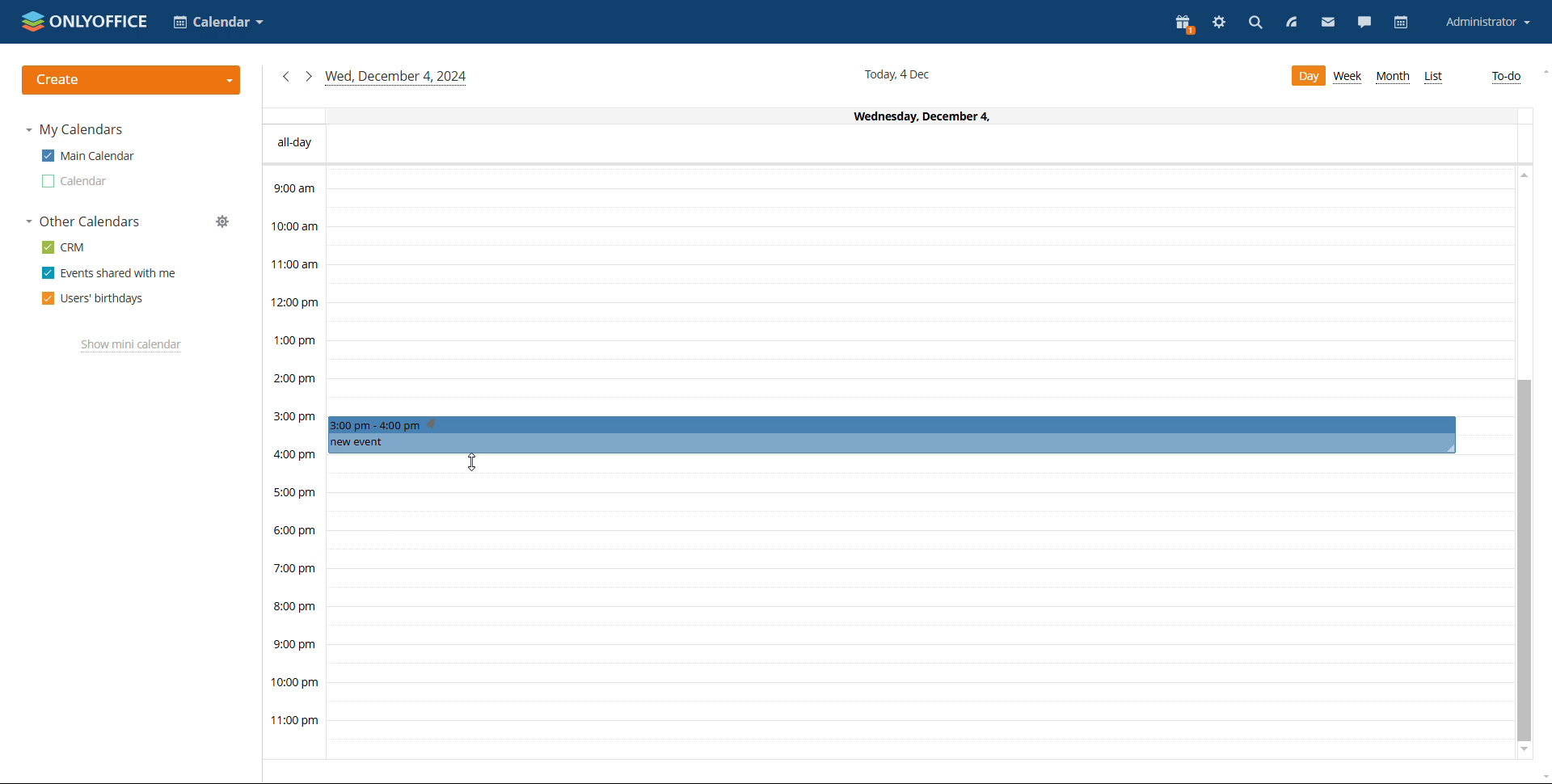 Image resolution: width=1552 pixels, height=784 pixels. Describe the element at coordinates (293, 462) in the screenshot. I see `timeline` at that location.